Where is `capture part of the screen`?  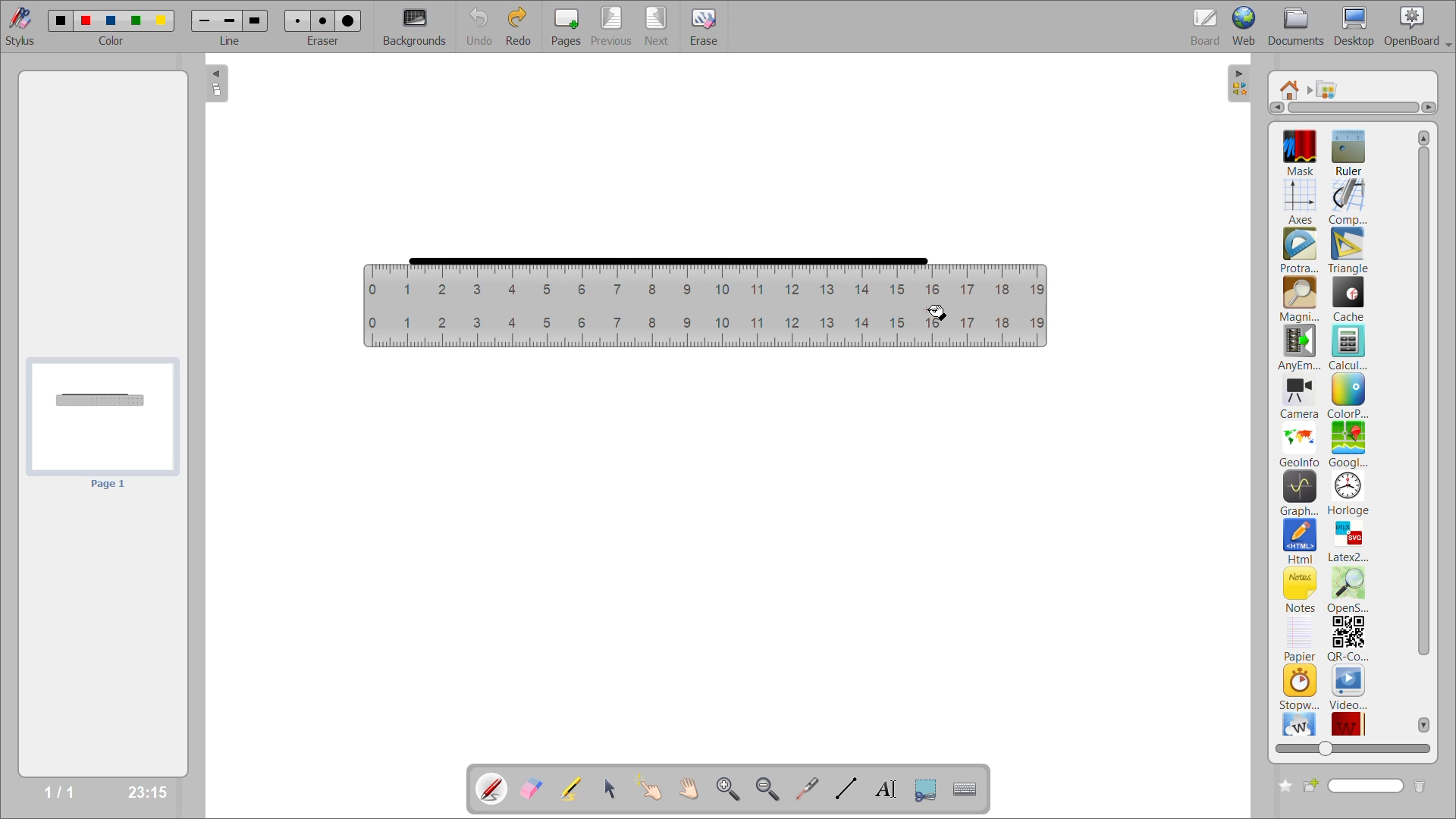 capture part of the screen is located at coordinates (929, 788).